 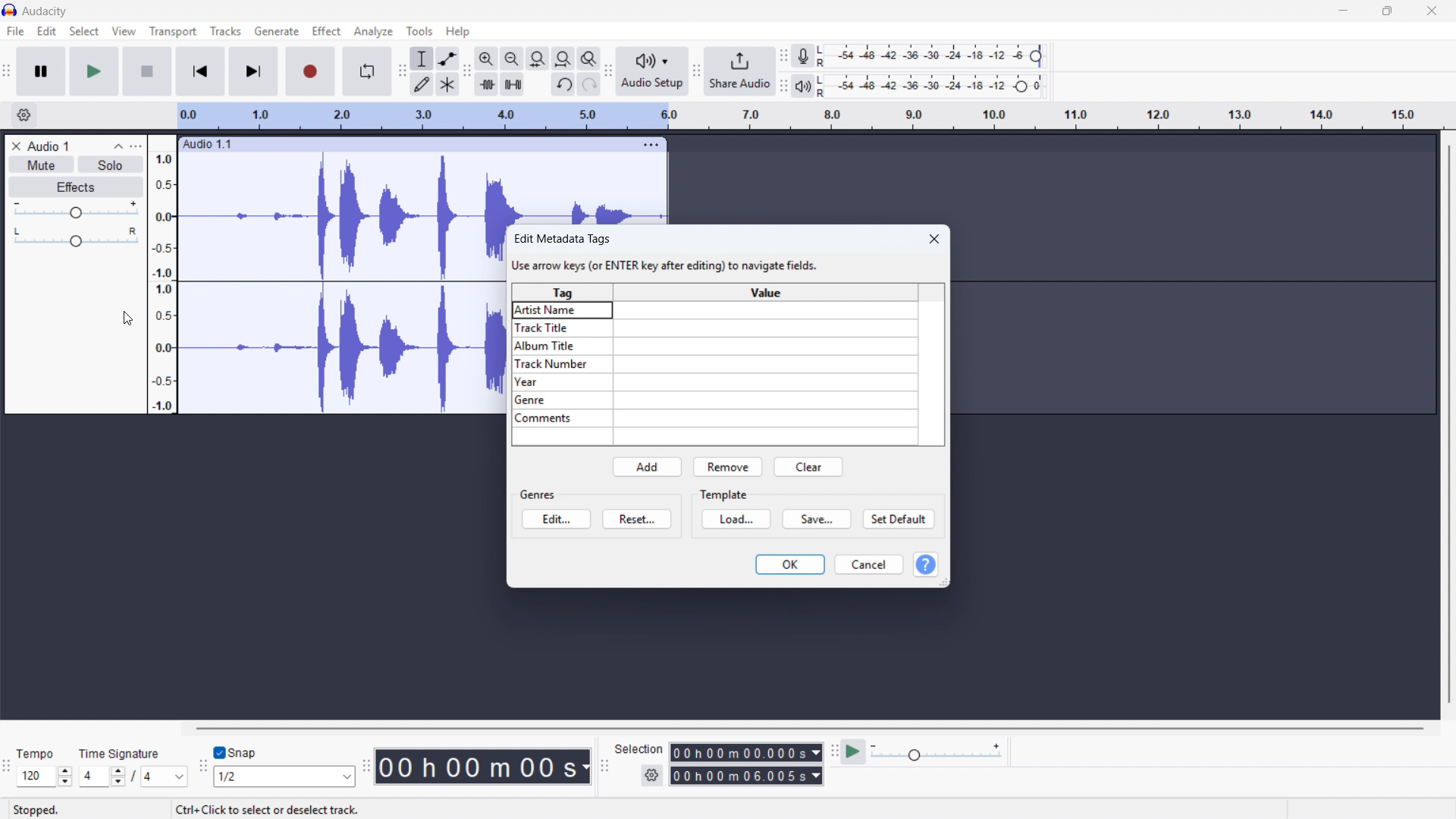 I want to click on tempo, so click(x=39, y=753).